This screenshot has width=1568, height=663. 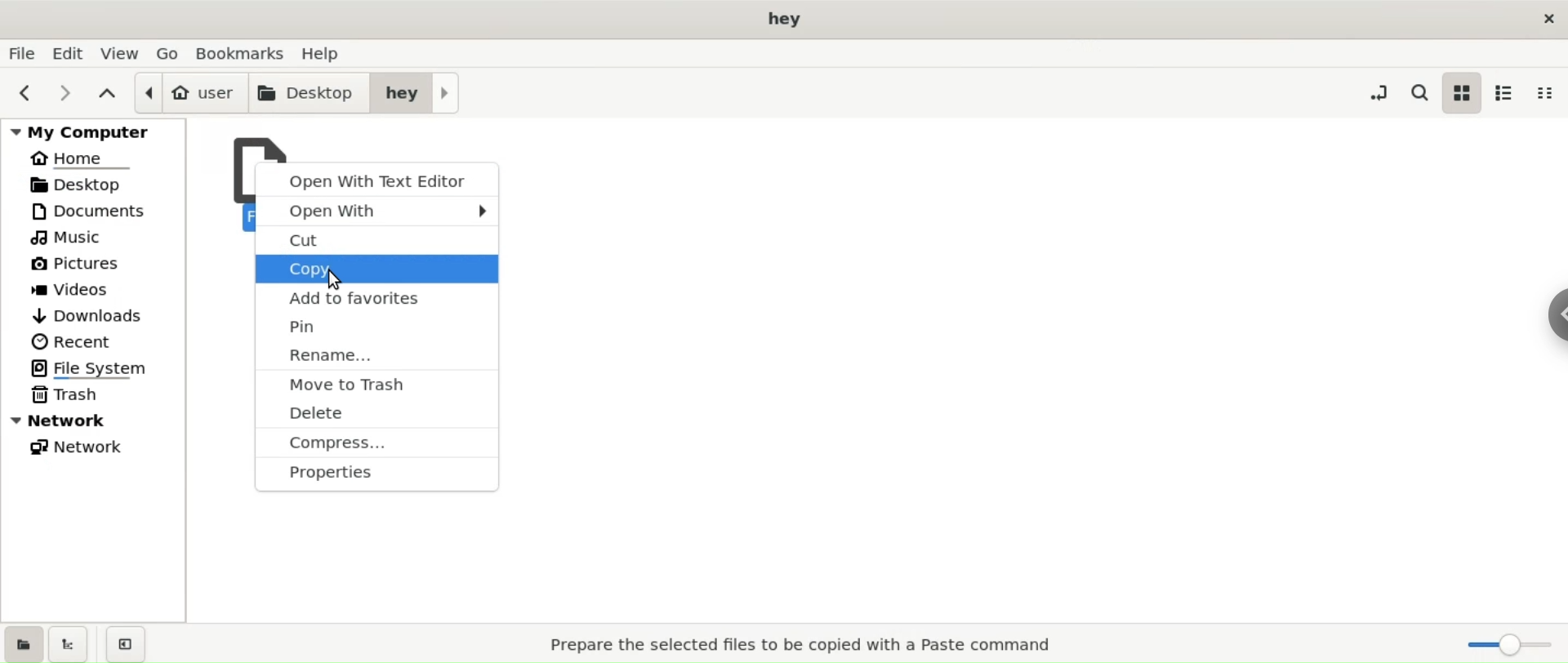 What do you see at coordinates (69, 92) in the screenshot?
I see `next` at bounding box center [69, 92].